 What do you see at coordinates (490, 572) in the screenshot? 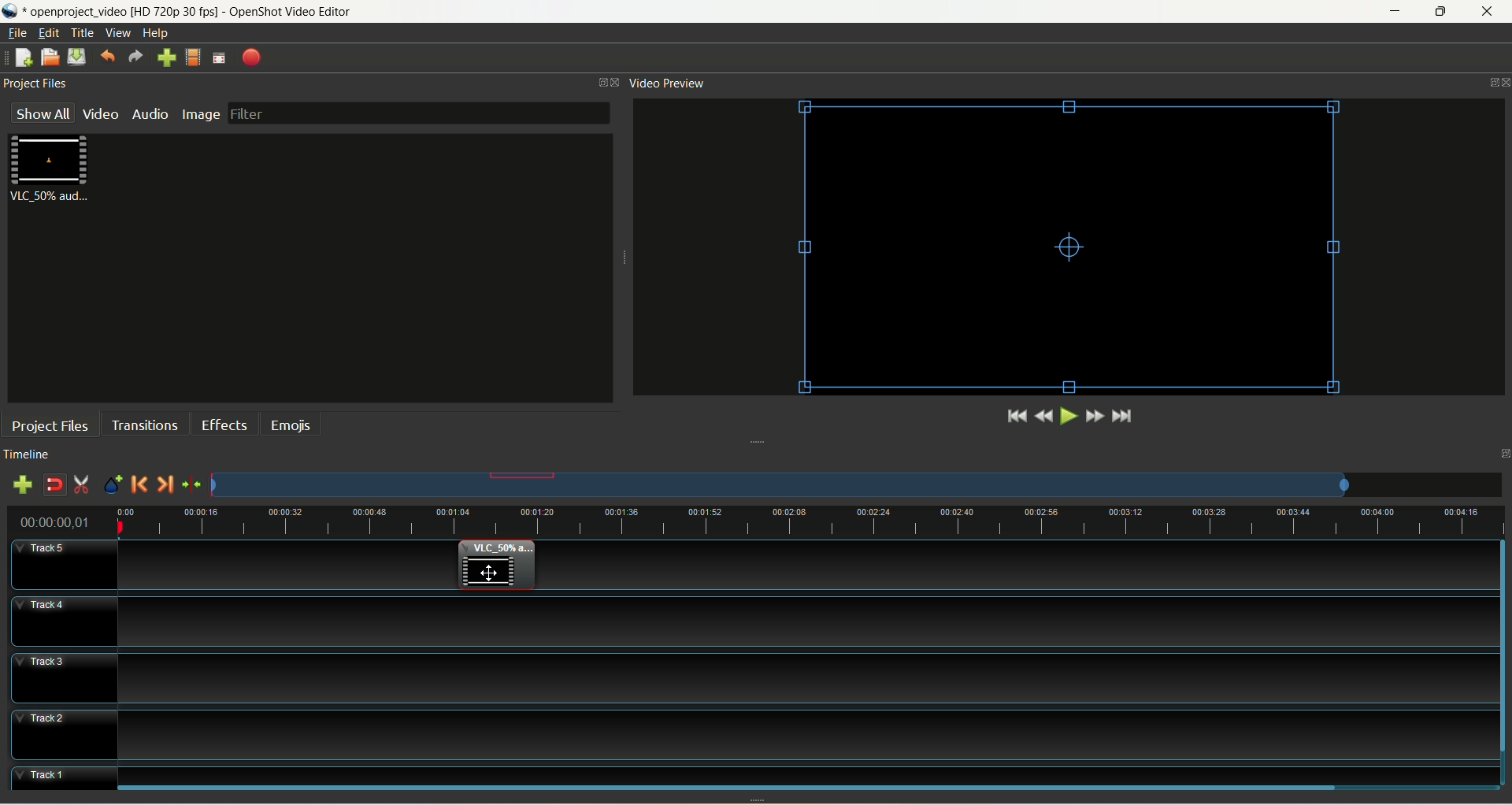
I see `cursor` at bounding box center [490, 572].